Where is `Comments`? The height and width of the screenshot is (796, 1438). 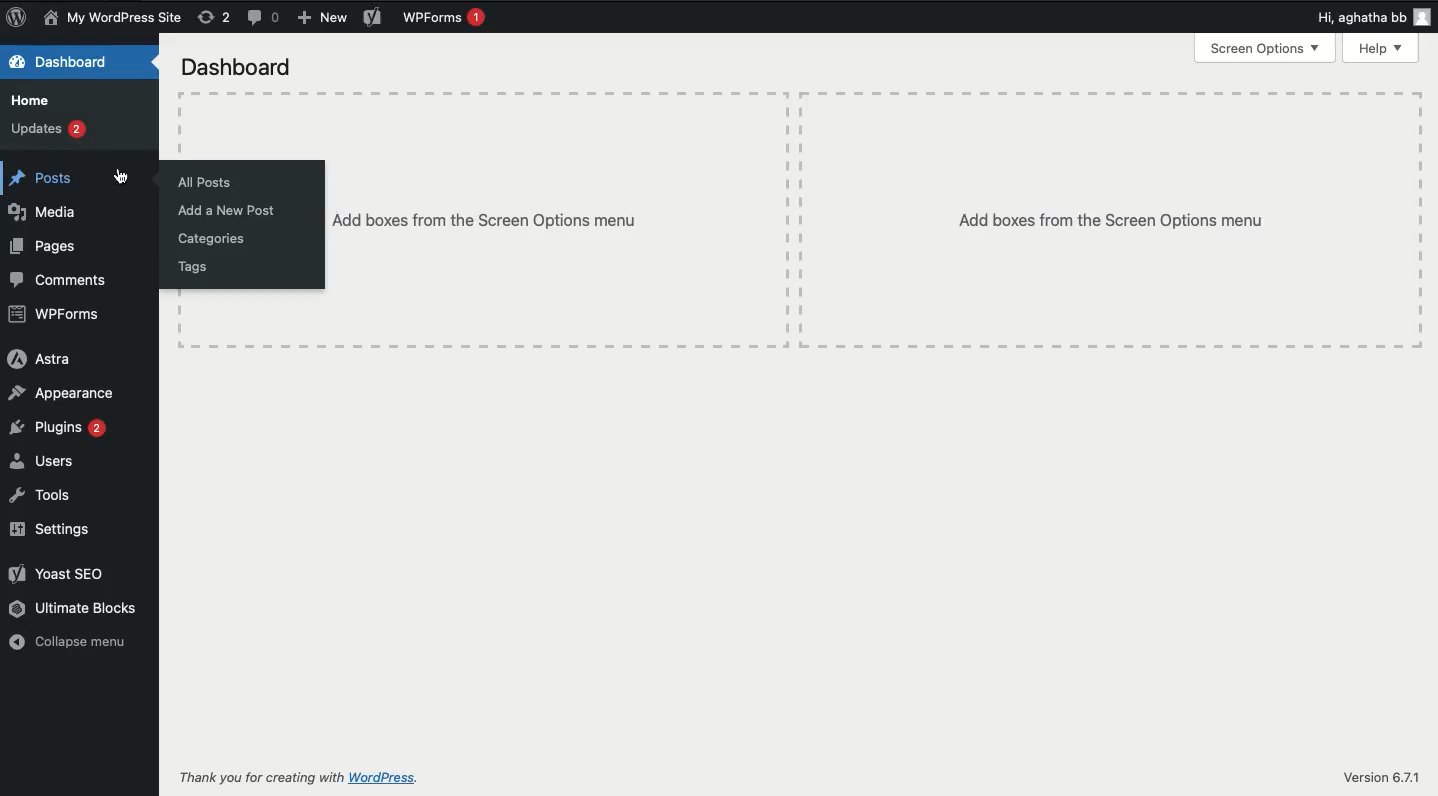
Comments is located at coordinates (264, 18).